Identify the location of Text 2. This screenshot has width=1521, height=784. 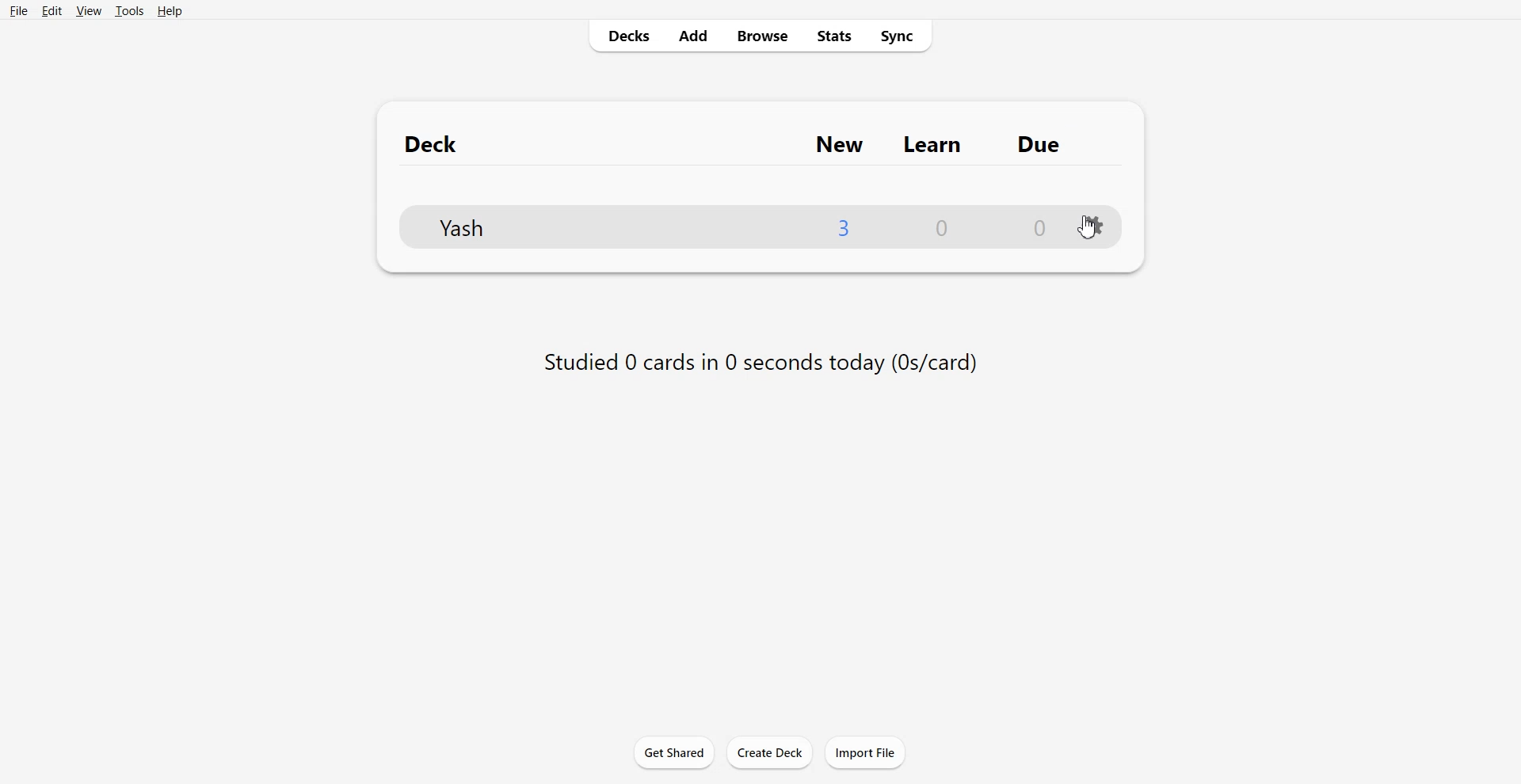
(758, 360).